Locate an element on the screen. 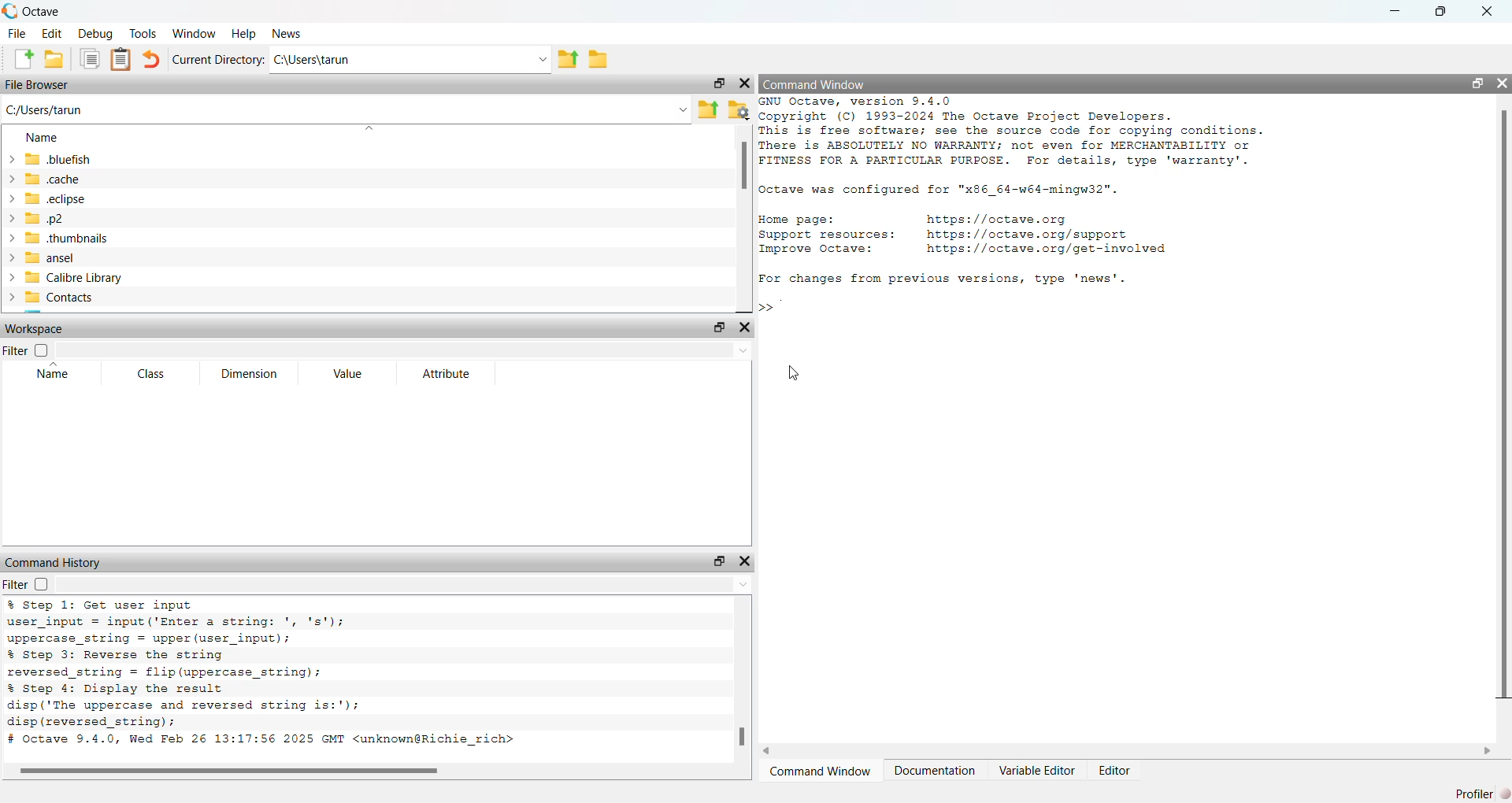 Image resolution: width=1512 pixels, height=803 pixels. command history is located at coordinates (54, 561).